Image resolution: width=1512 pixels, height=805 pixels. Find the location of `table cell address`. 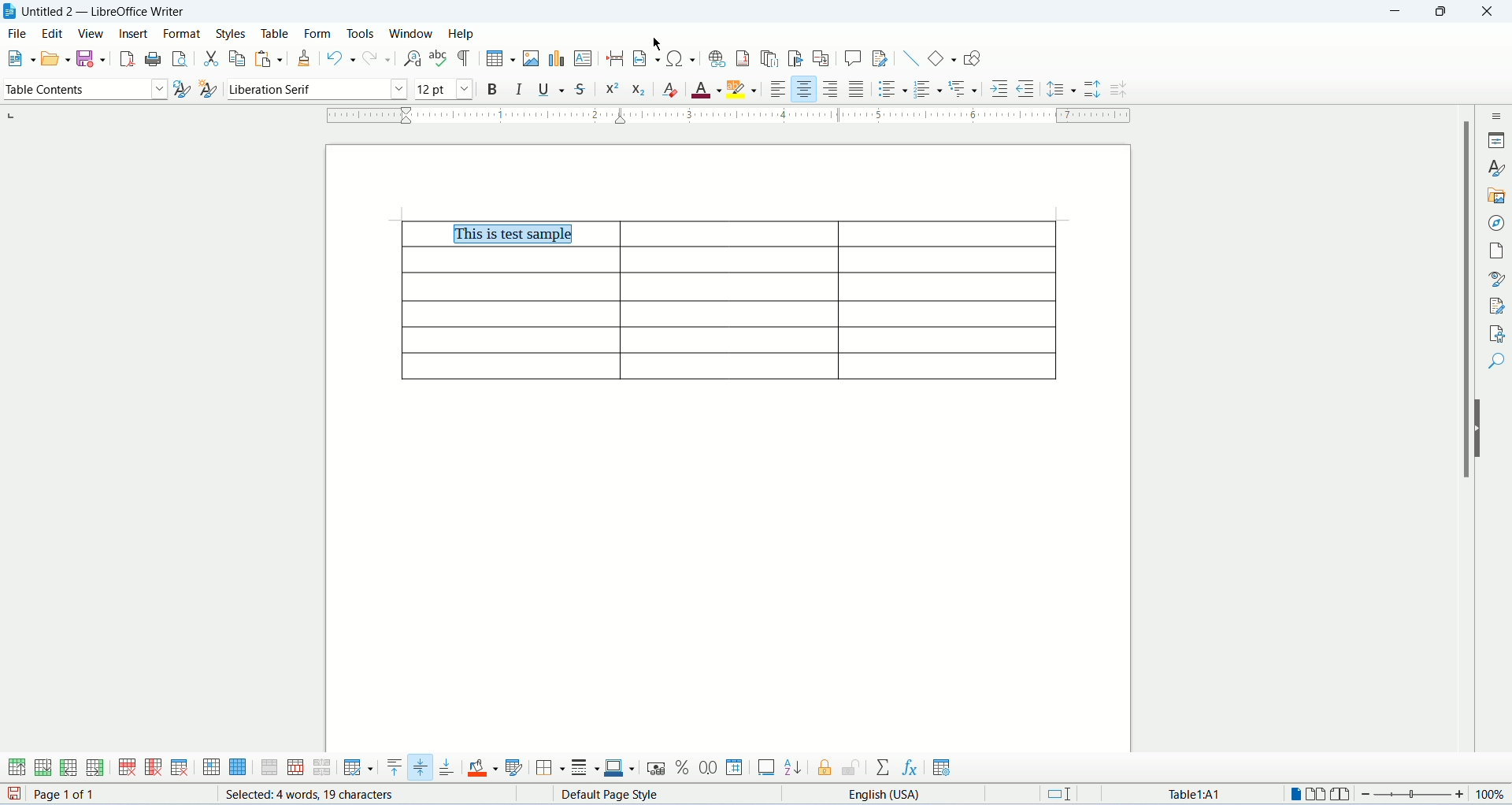

table cell address is located at coordinates (1183, 793).